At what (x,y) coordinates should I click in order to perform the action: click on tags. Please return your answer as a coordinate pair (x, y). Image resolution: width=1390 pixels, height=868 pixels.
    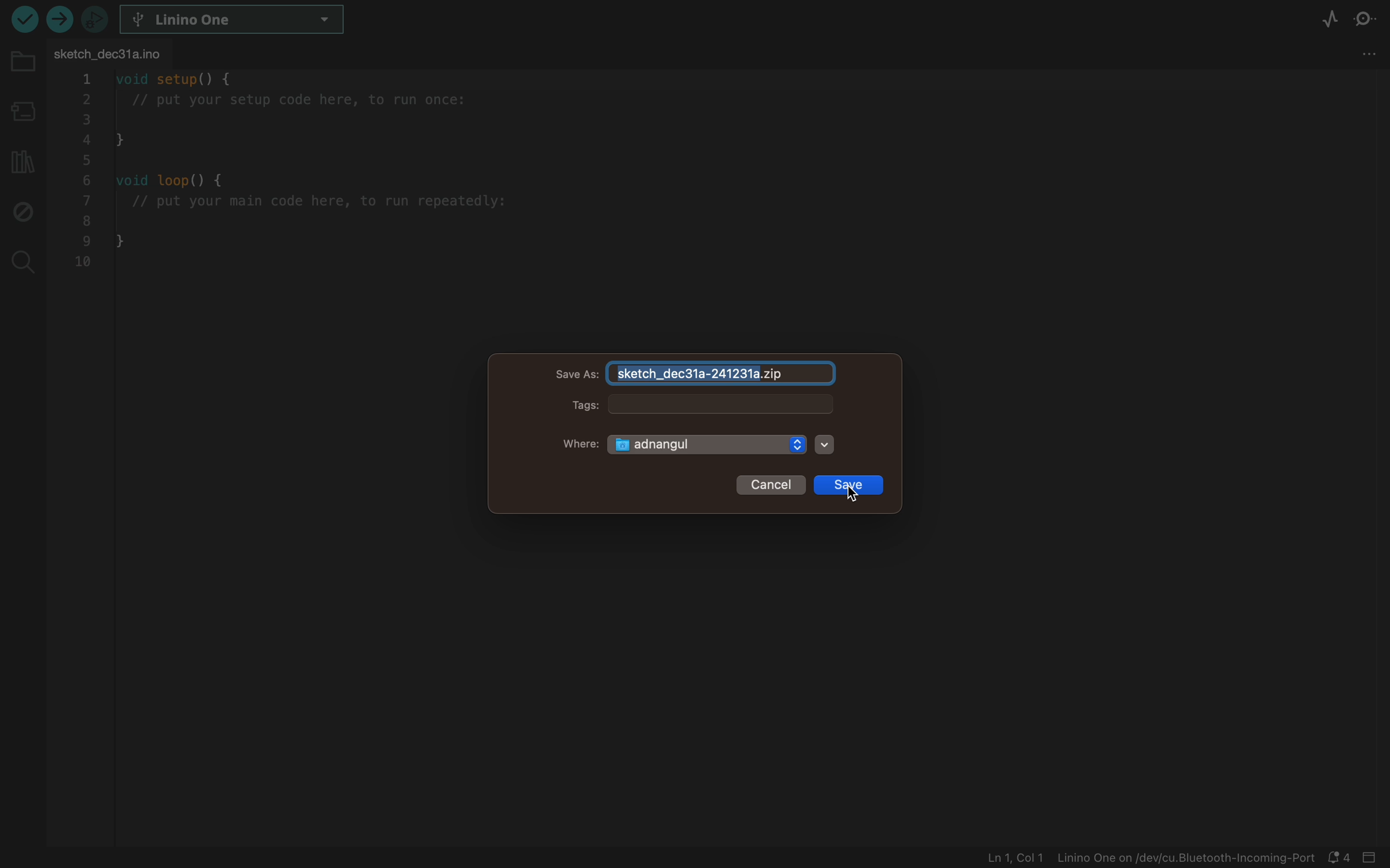
    Looking at the image, I should click on (693, 407).